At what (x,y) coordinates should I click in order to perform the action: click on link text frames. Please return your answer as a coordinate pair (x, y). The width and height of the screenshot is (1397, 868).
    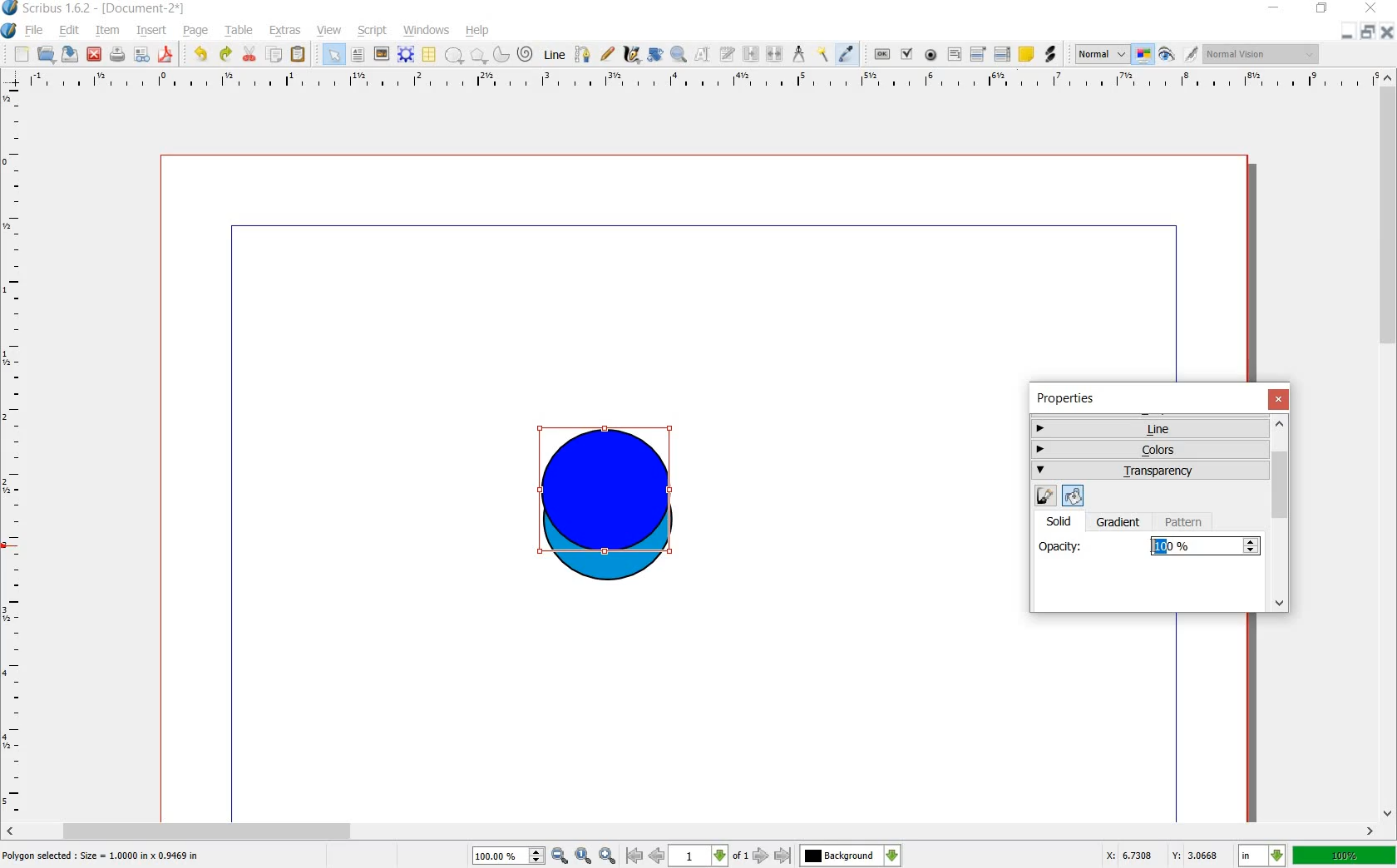
    Looking at the image, I should click on (752, 55).